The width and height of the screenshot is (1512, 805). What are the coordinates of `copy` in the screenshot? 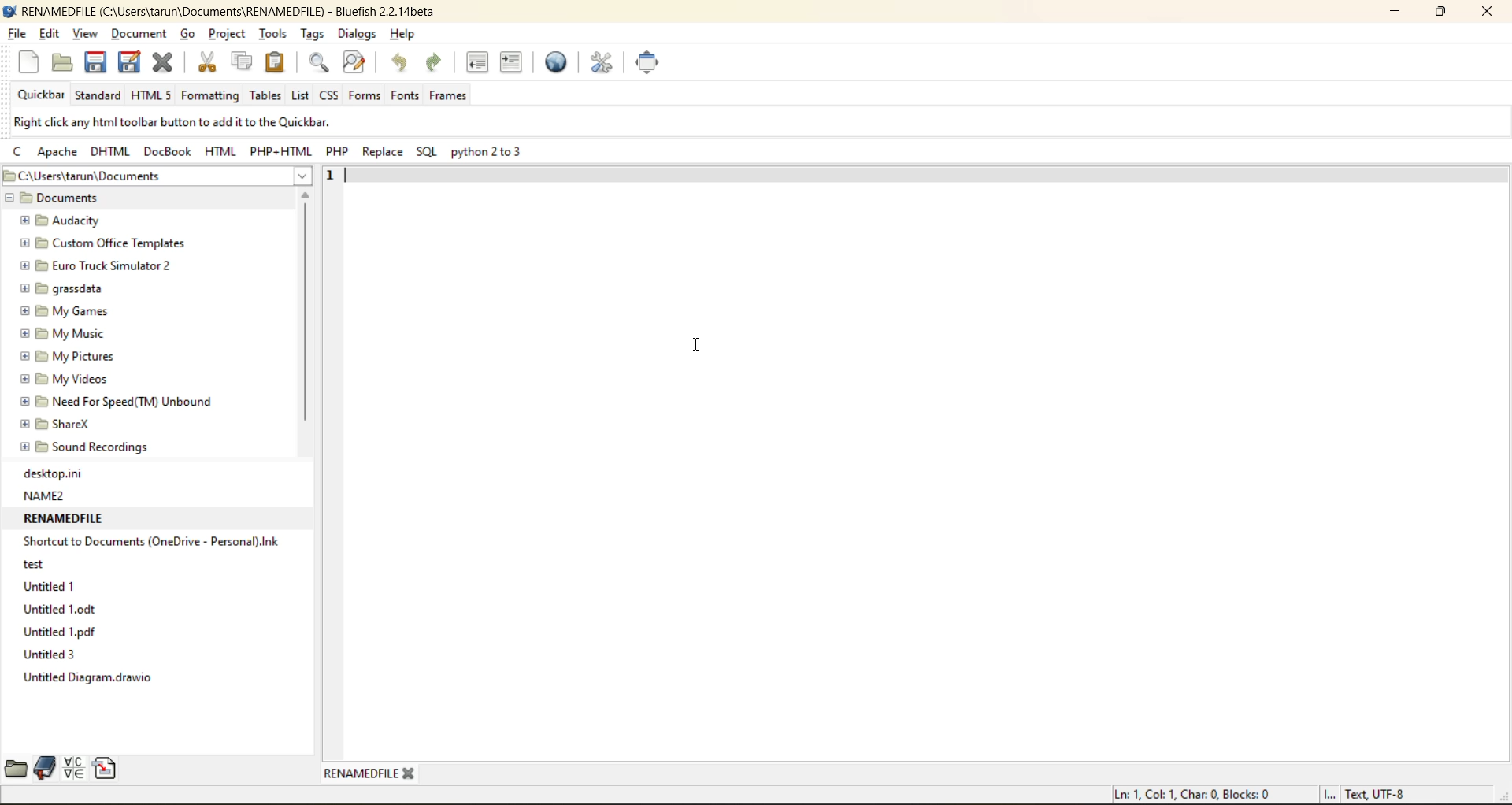 It's located at (242, 62).